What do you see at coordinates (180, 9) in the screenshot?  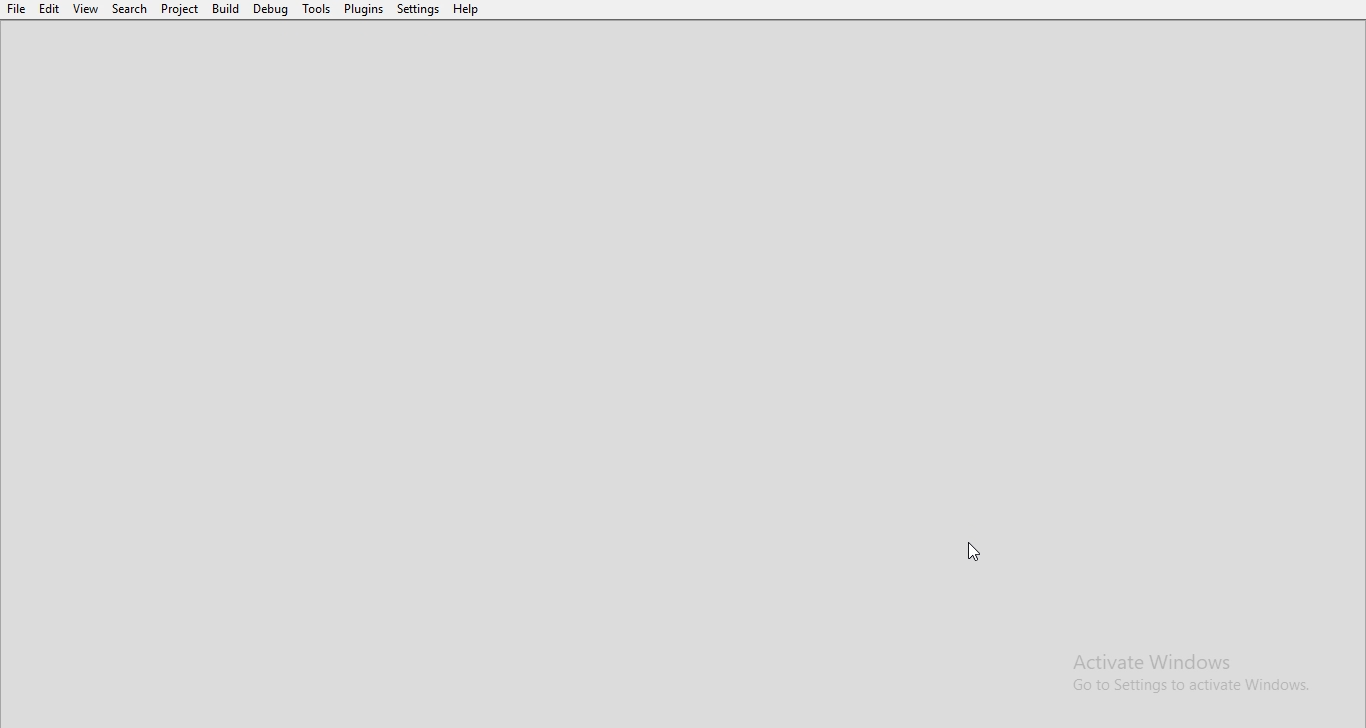 I see `Project ` at bounding box center [180, 9].